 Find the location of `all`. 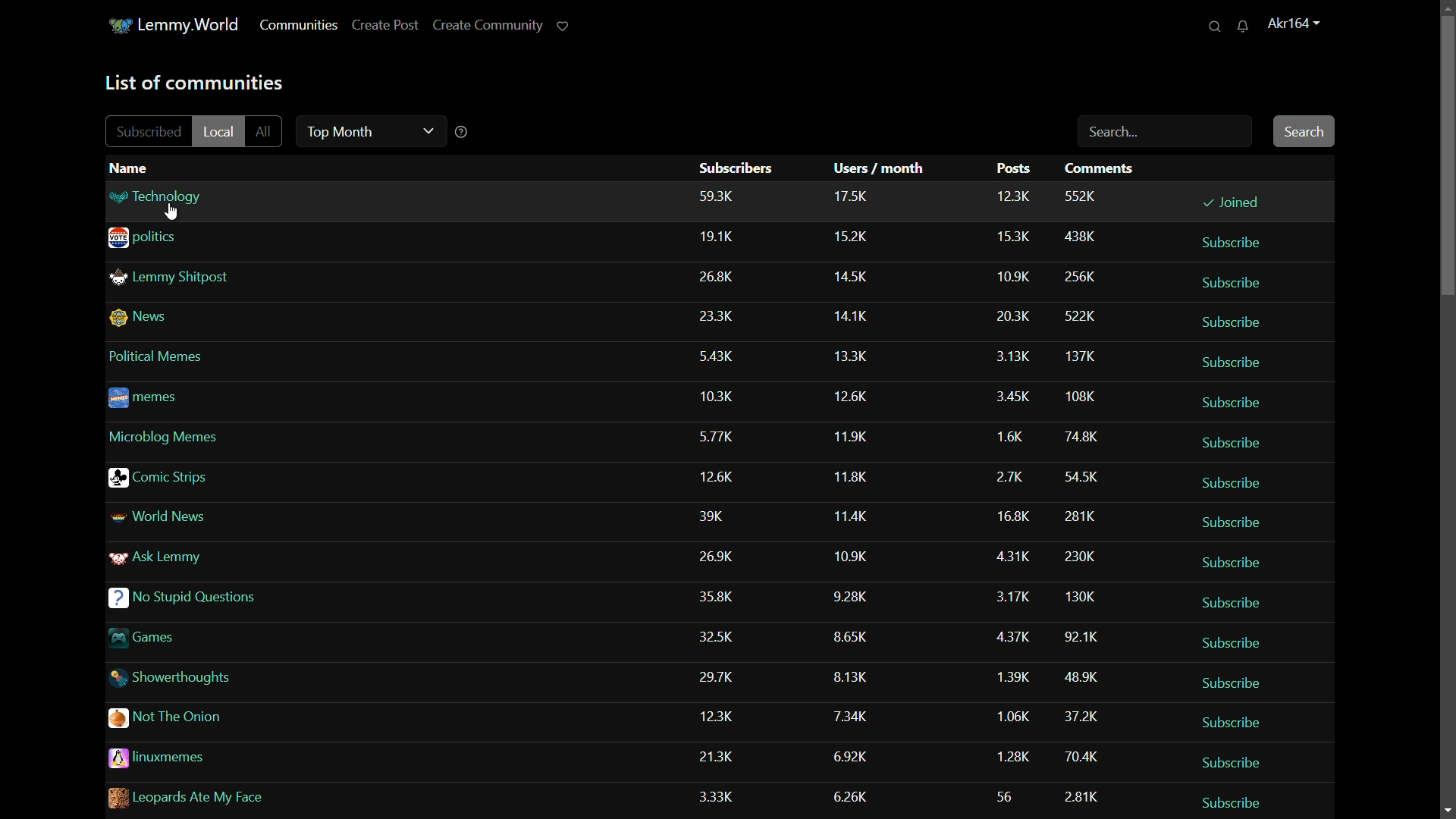

all is located at coordinates (268, 133).